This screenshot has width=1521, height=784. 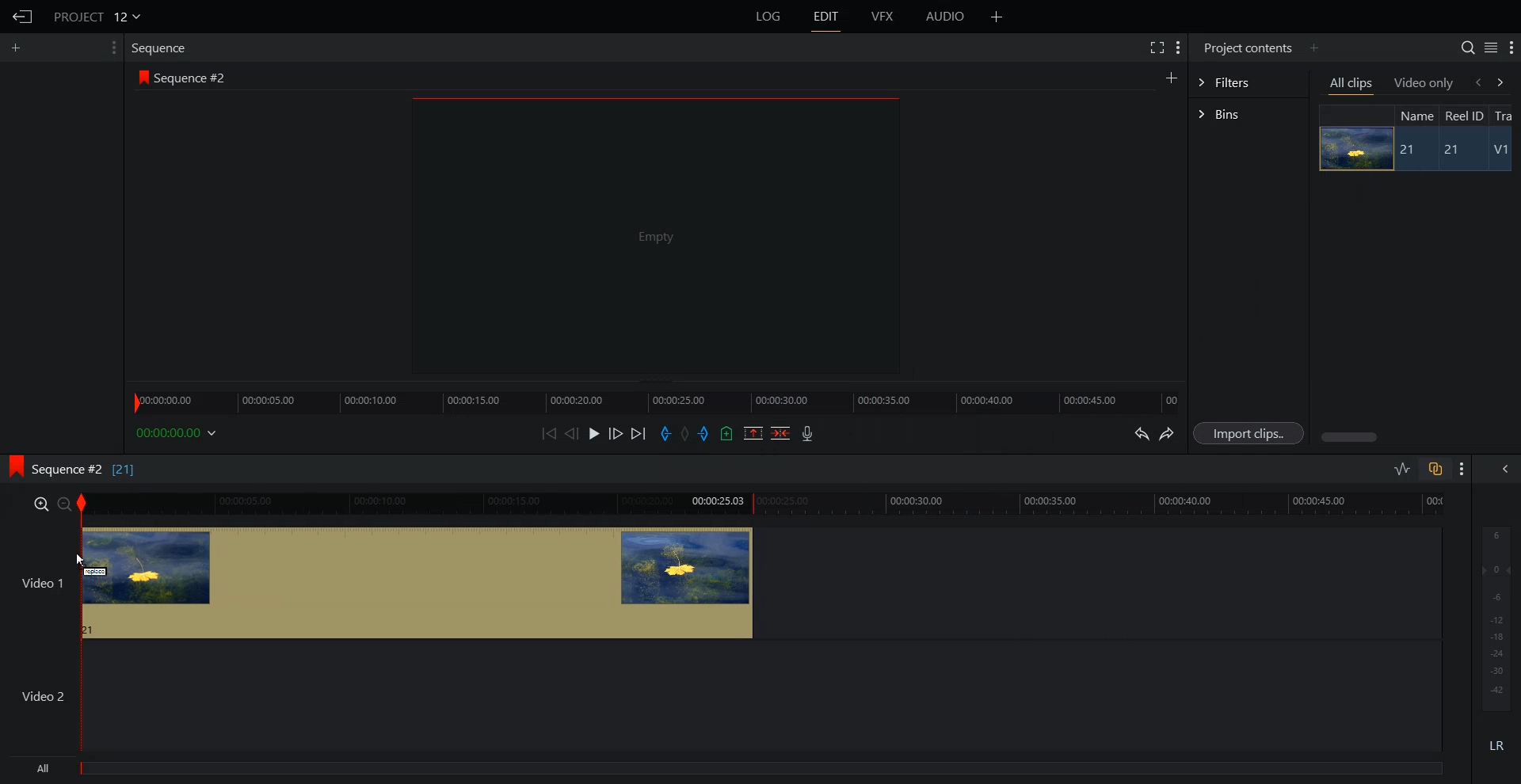 What do you see at coordinates (781, 433) in the screenshot?
I see `Delete` at bounding box center [781, 433].